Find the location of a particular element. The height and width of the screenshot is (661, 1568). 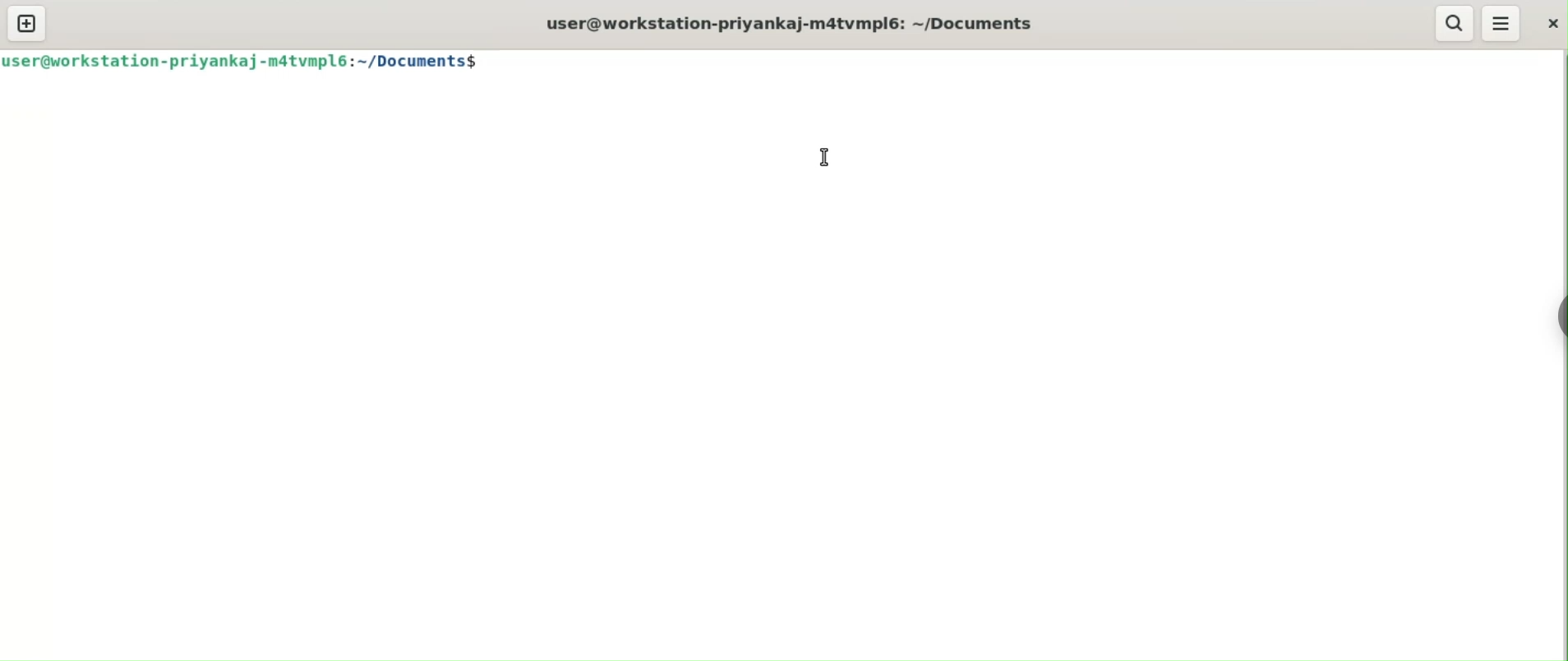

new tab is located at coordinates (27, 23).